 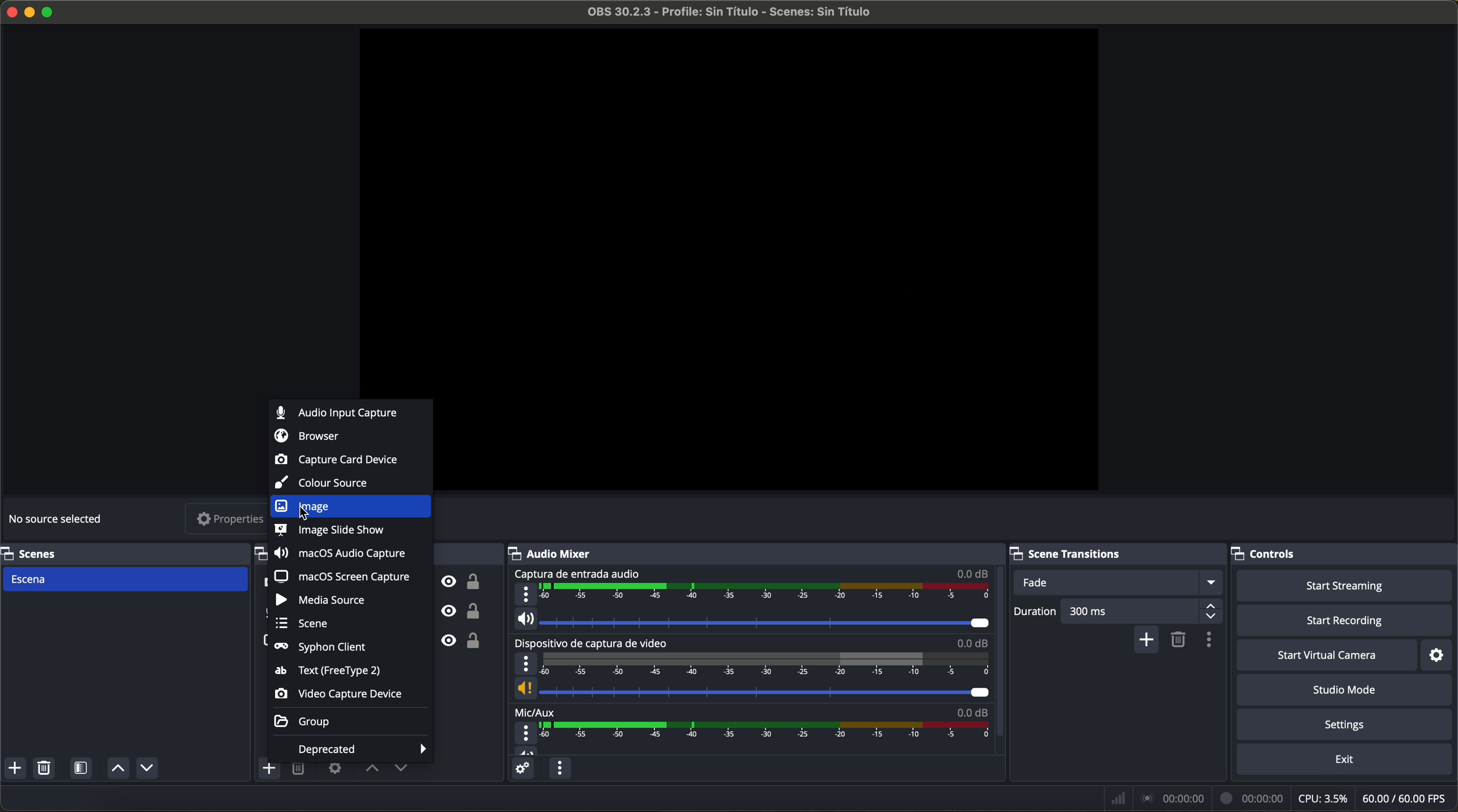 What do you see at coordinates (118, 769) in the screenshot?
I see `move scene up` at bounding box center [118, 769].